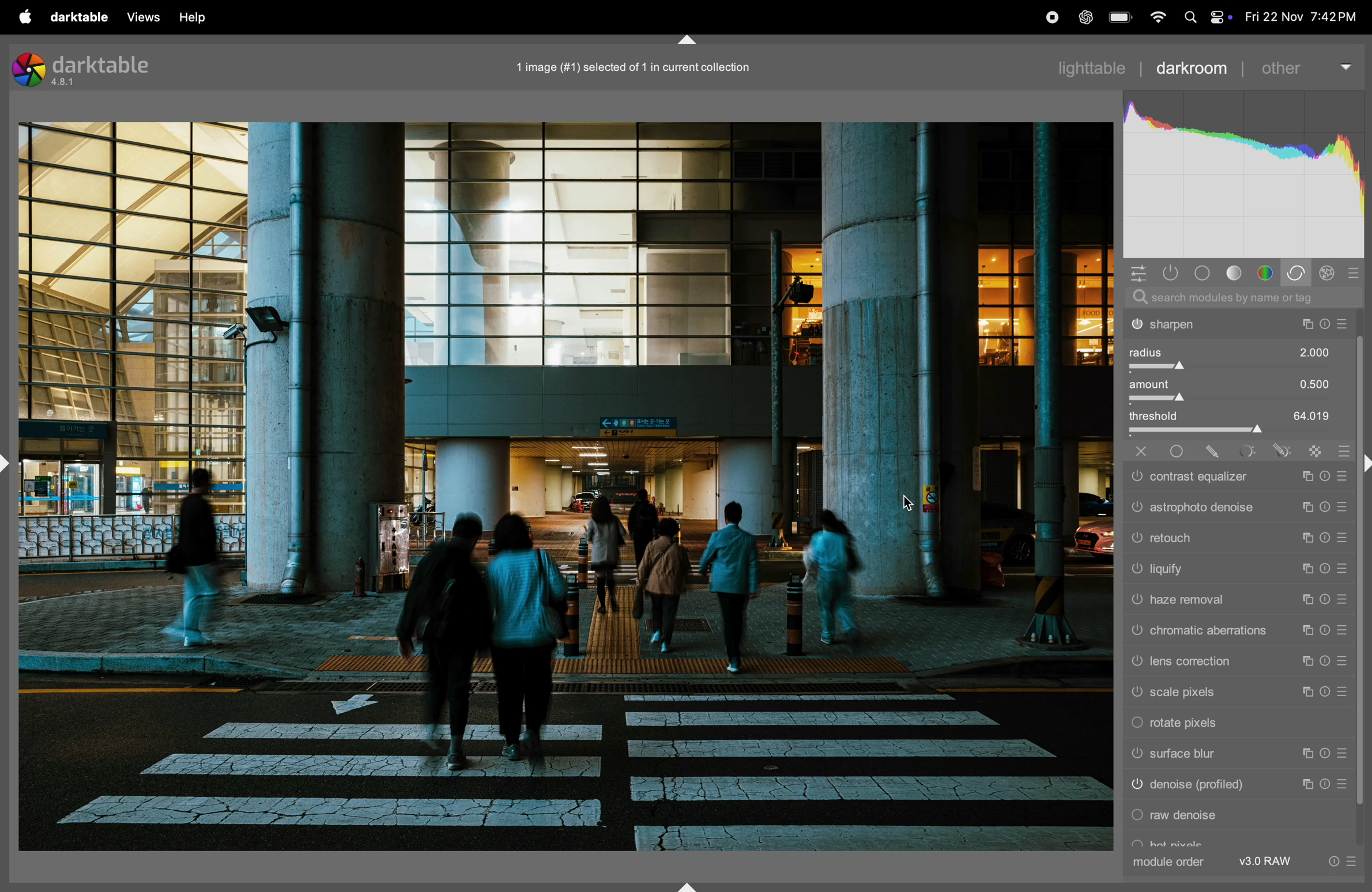 This screenshot has height=892, width=1372. What do you see at coordinates (1220, 17) in the screenshot?
I see `apple widgets` at bounding box center [1220, 17].